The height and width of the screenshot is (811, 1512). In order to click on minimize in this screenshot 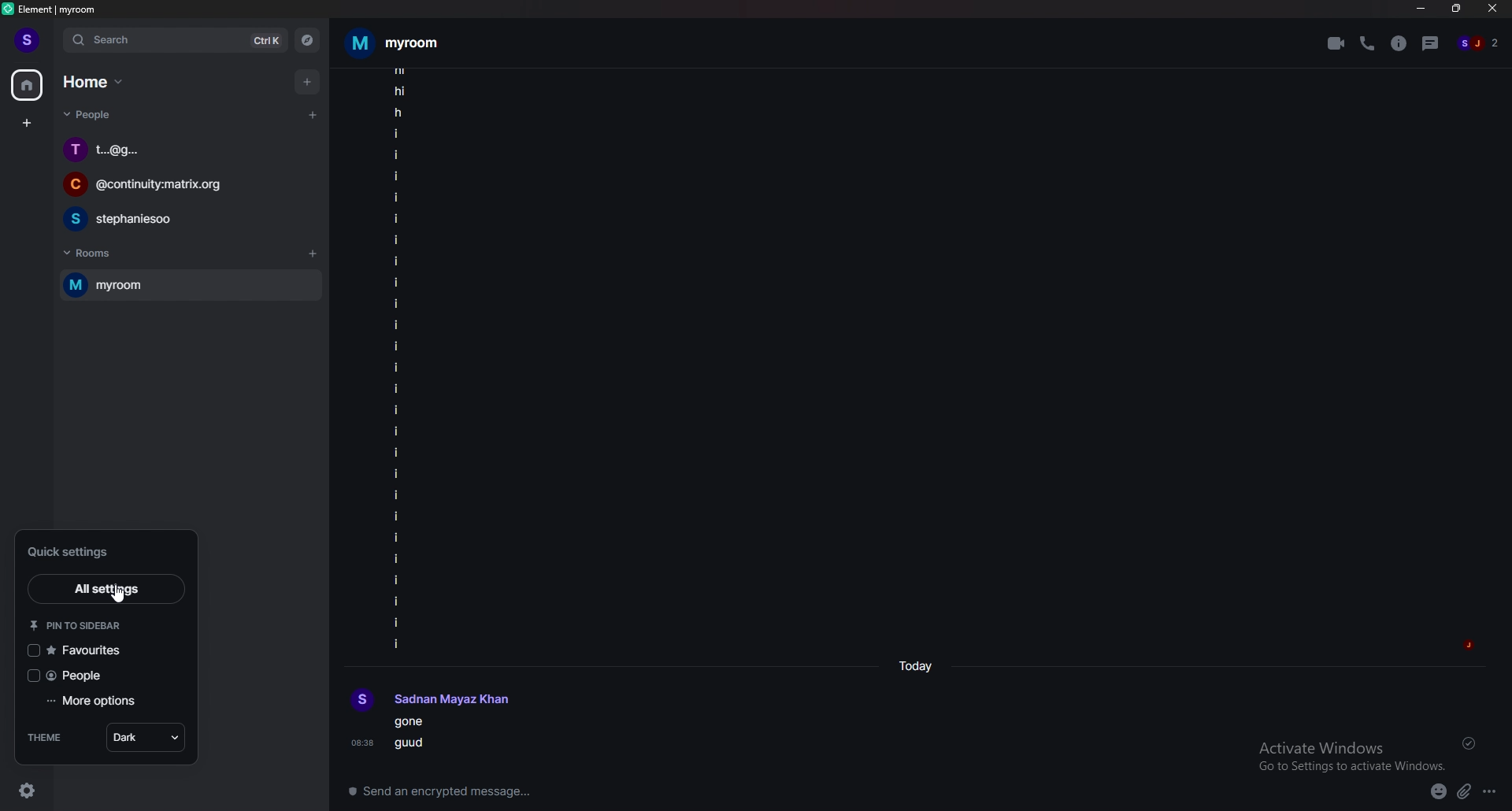, I will do `click(1421, 9)`.